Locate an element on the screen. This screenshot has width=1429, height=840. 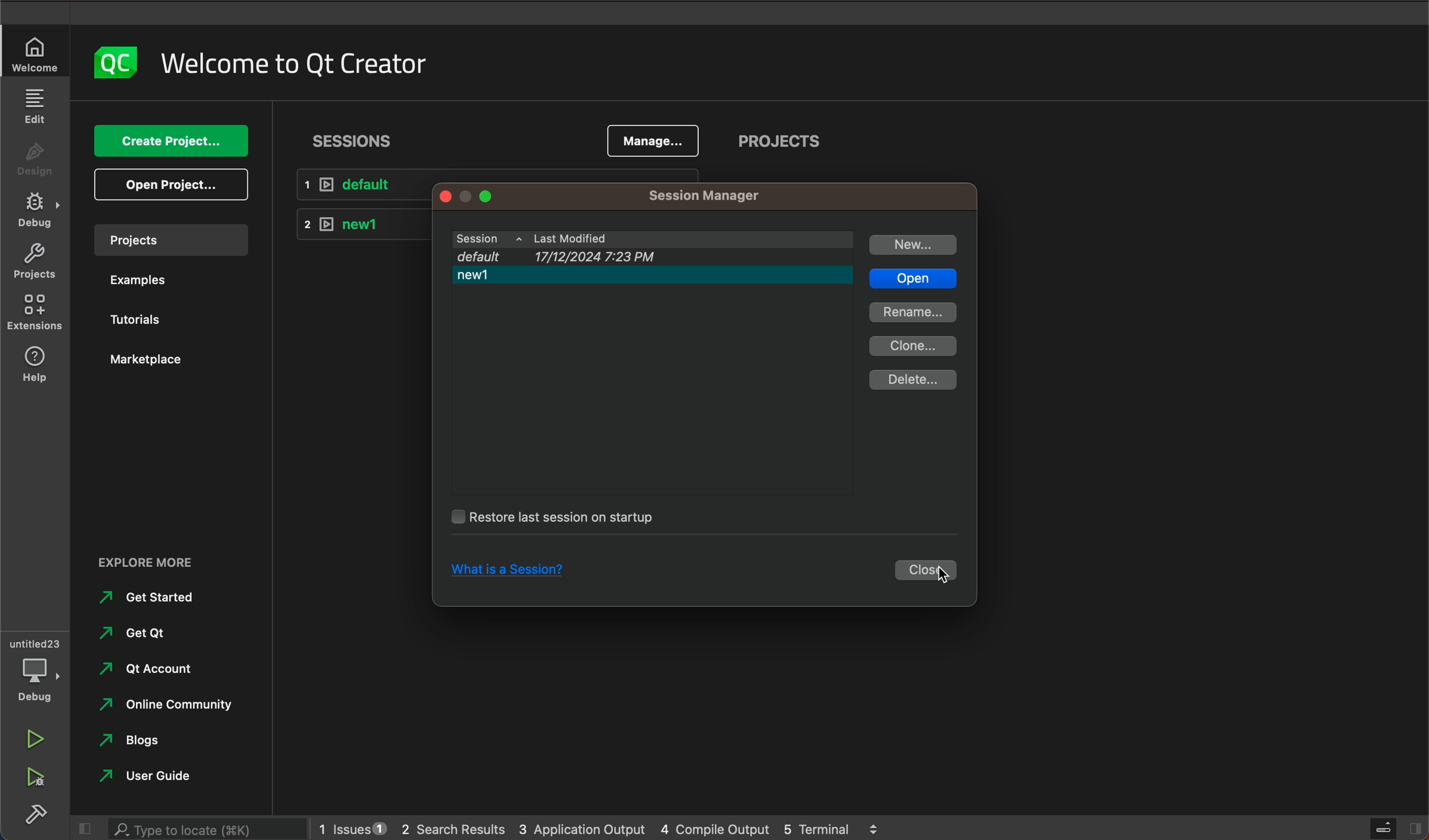
debug is located at coordinates (39, 680).